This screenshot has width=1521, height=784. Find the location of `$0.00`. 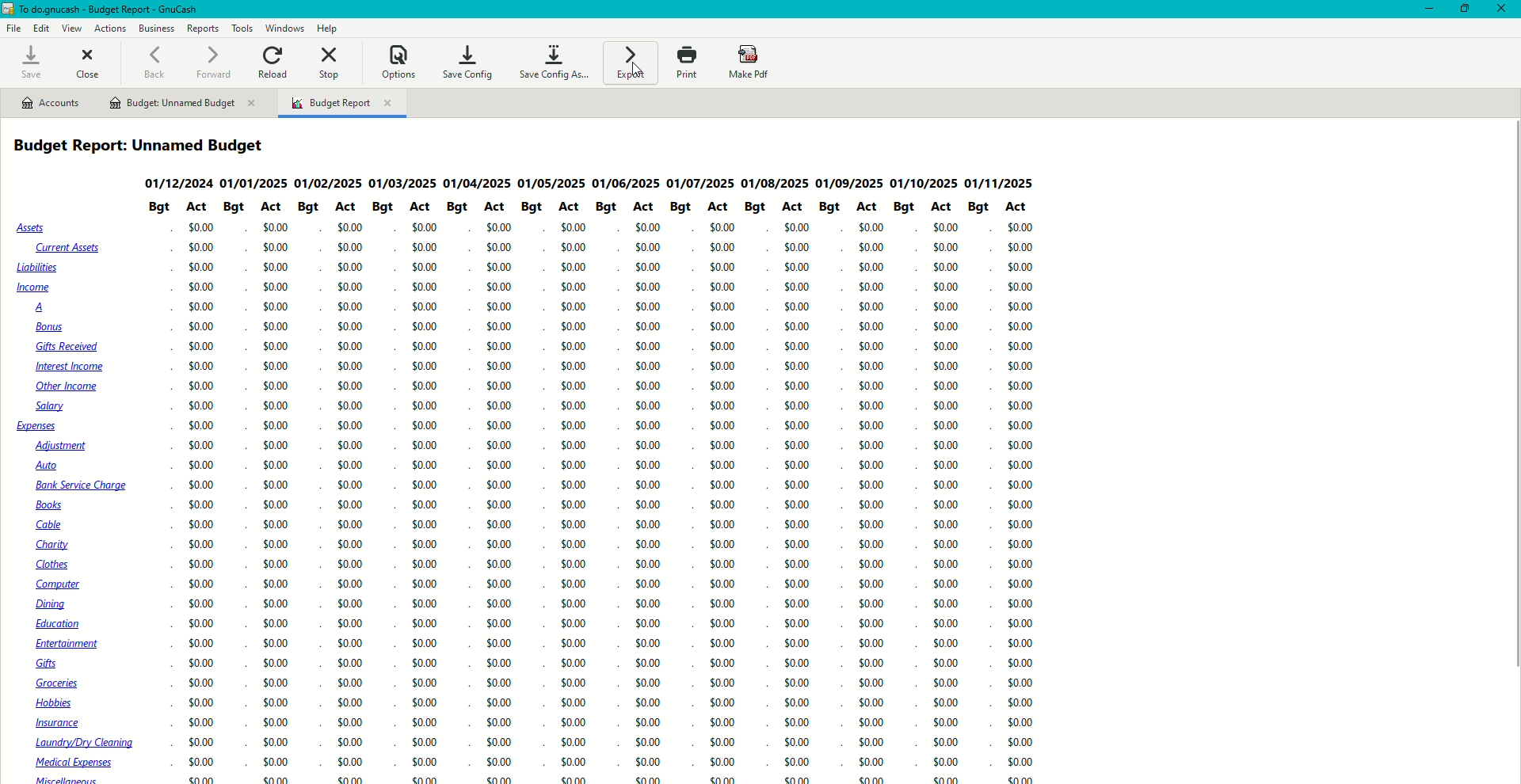

$0.00 is located at coordinates (574, 546).